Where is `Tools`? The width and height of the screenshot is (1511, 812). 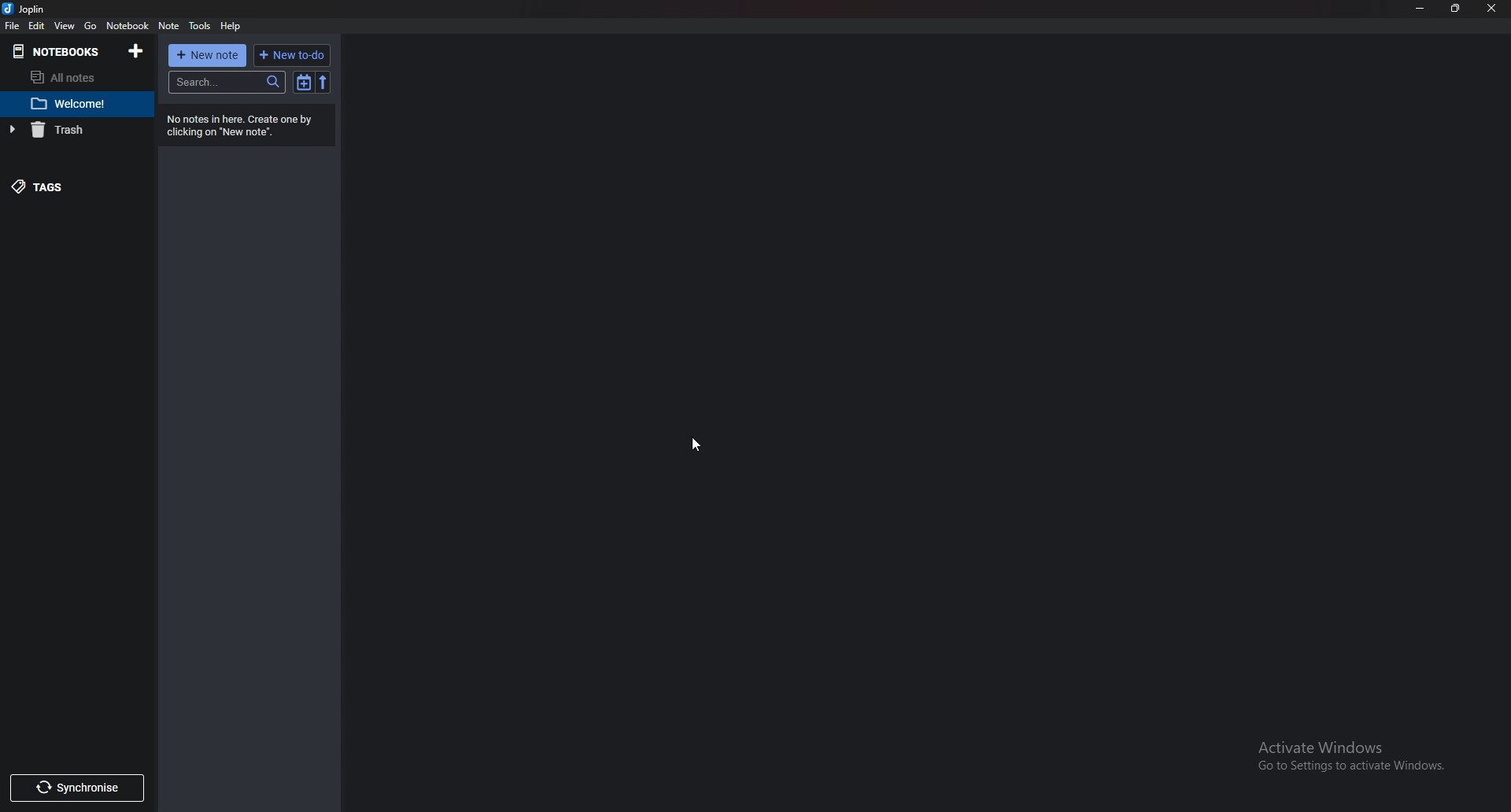 Tools is located at coordinates (200, 27).